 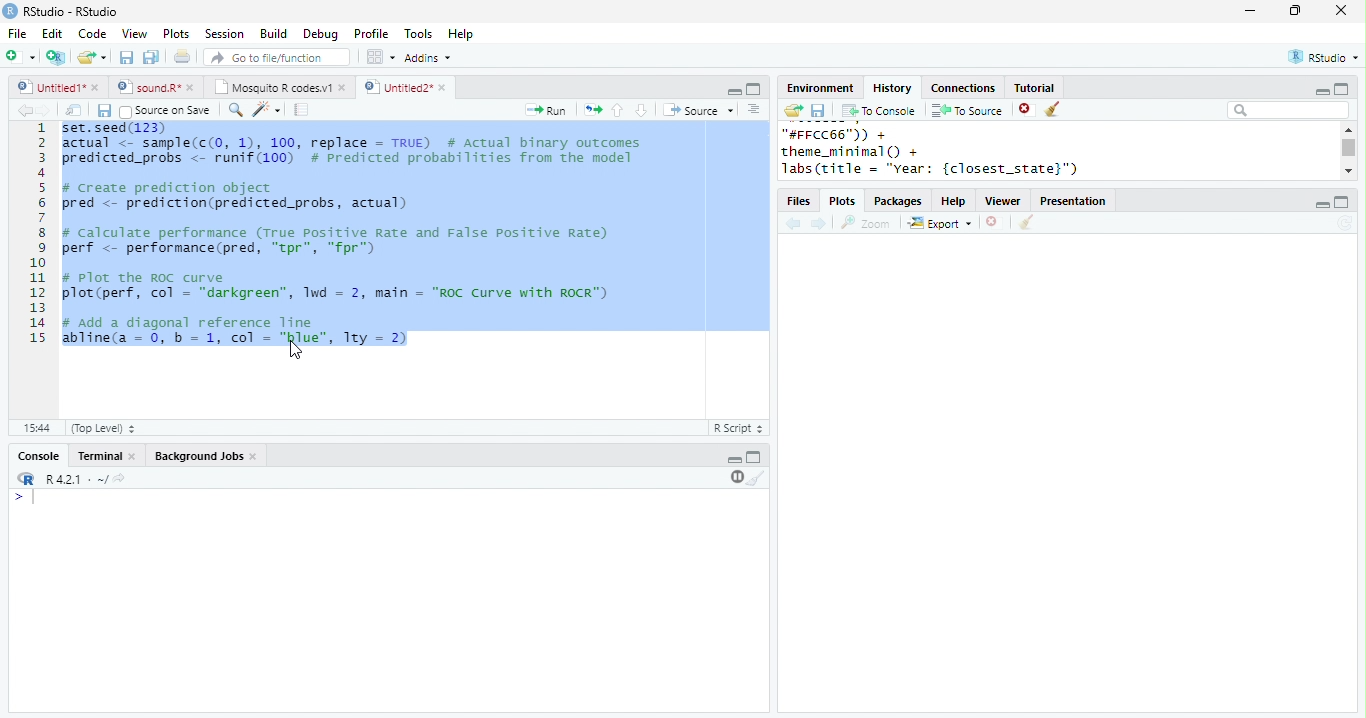 I want to click on RStudio, so click(x=1326, y=56).